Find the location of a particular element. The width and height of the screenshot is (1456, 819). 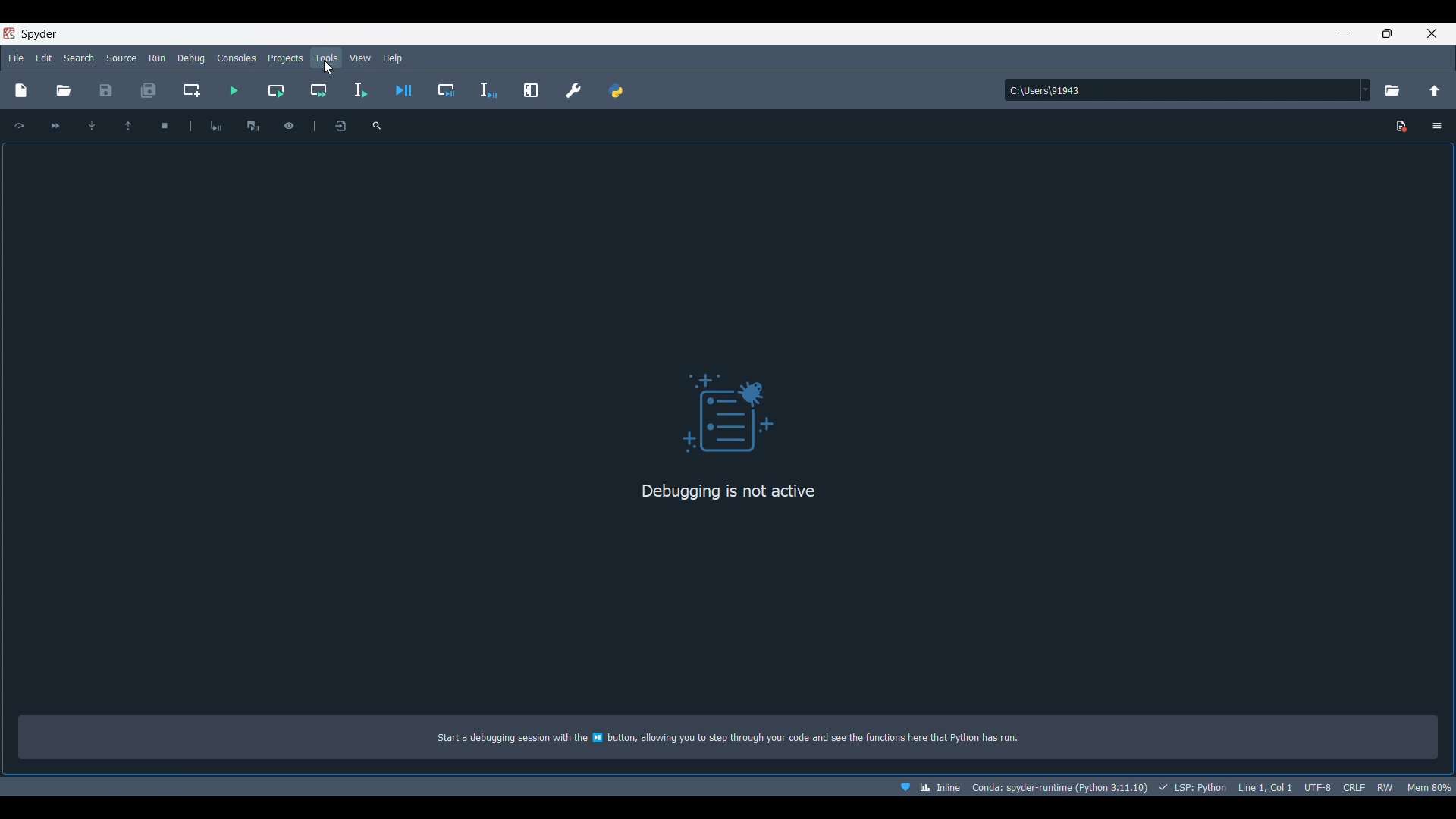

next is located at coordinates (217, 125).